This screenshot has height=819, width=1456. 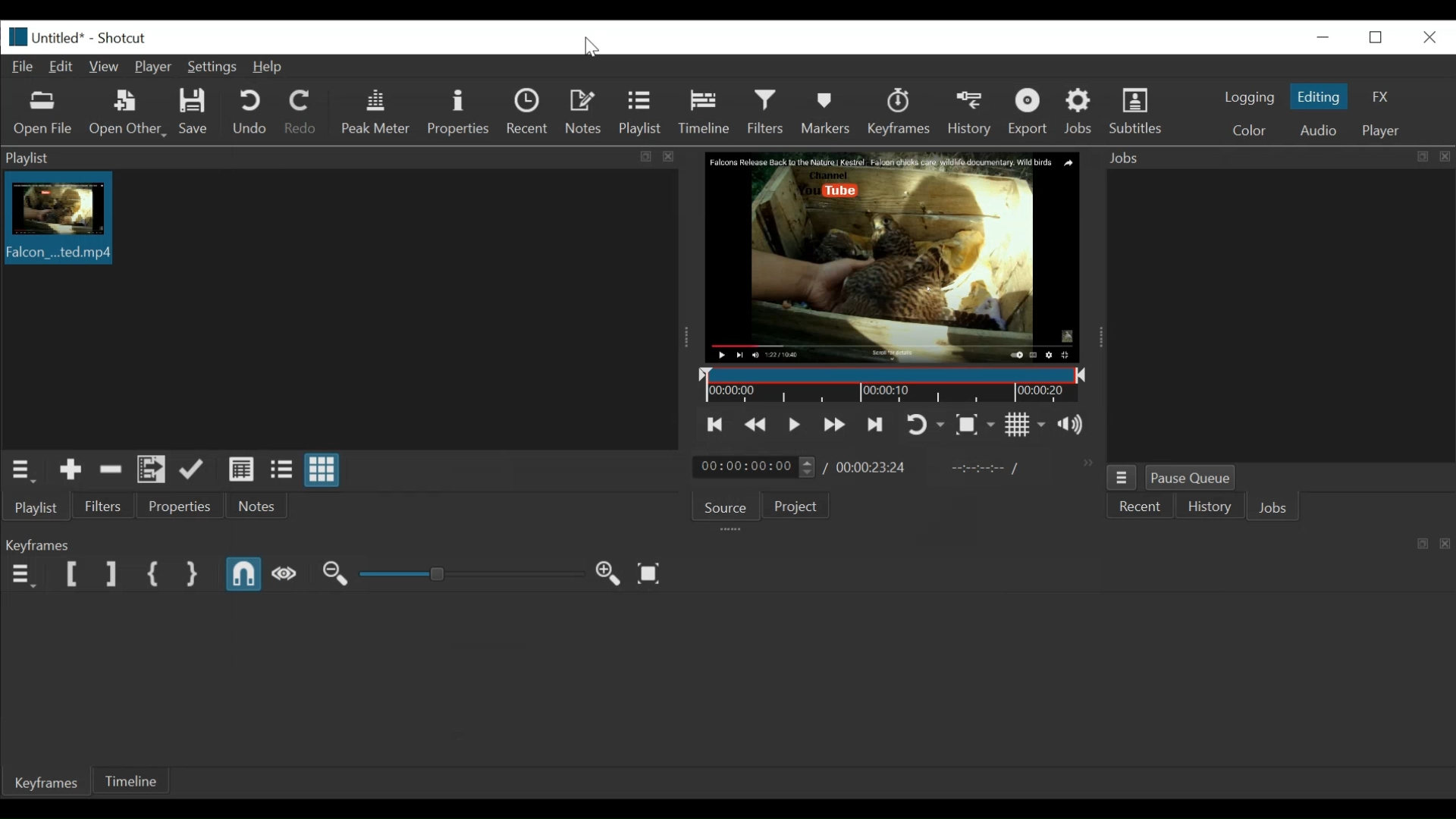 I want to click on Project, so click(x=792, y=504).